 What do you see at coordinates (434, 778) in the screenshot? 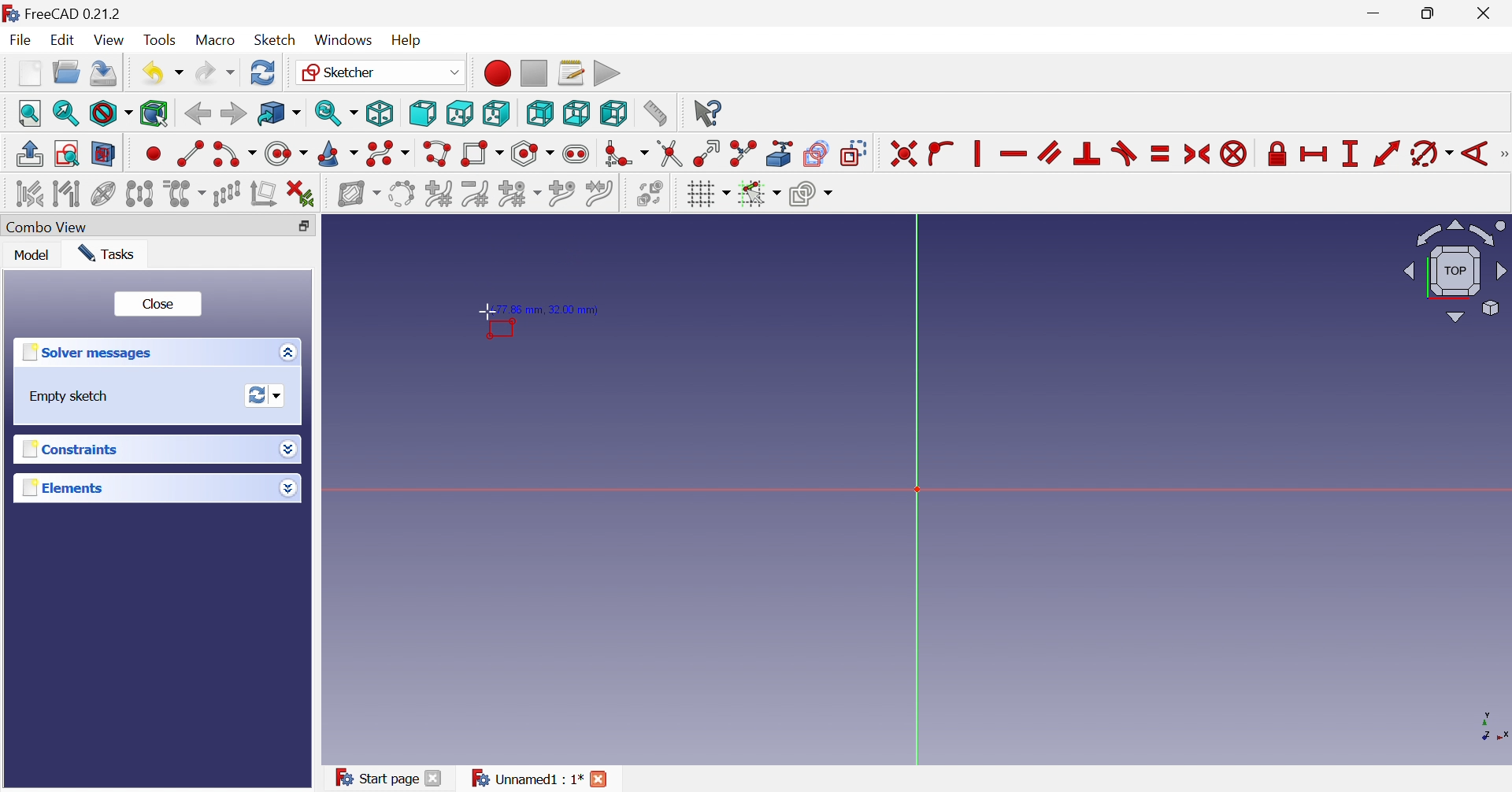
I see `Close` at bounding box center [434, 778].